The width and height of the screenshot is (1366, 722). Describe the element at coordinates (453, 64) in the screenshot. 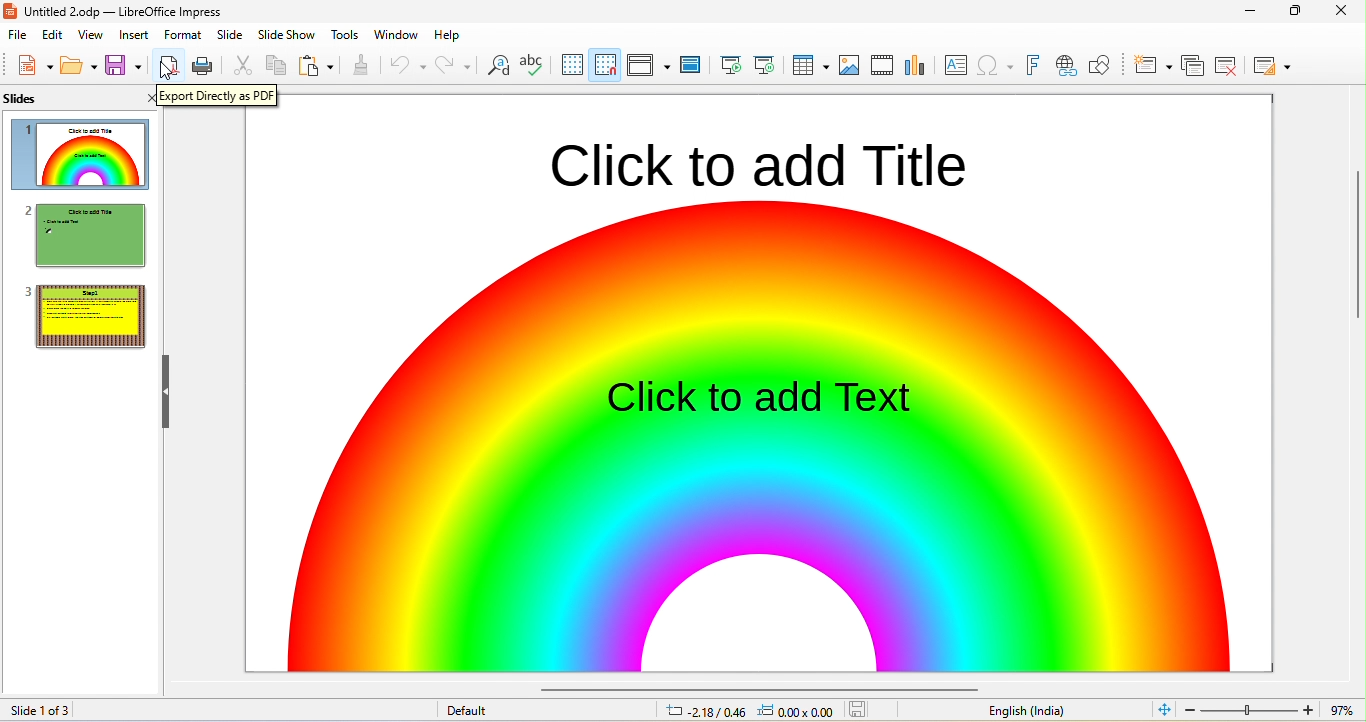

I see `redo` at that location.